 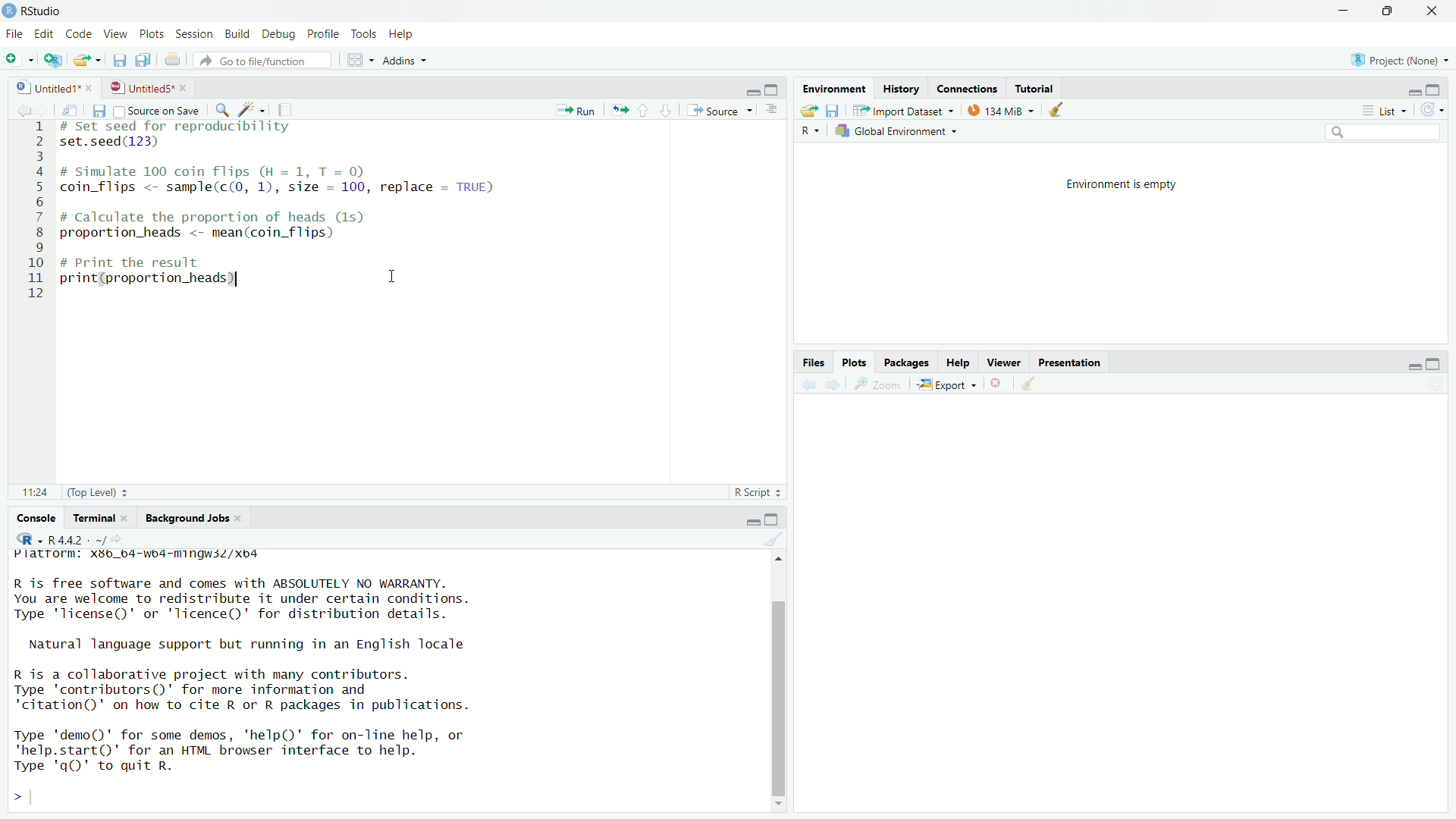 What do you see at coordinates (80, 33) in the screenshot?
I see `code` at bounding box center [80, 33].